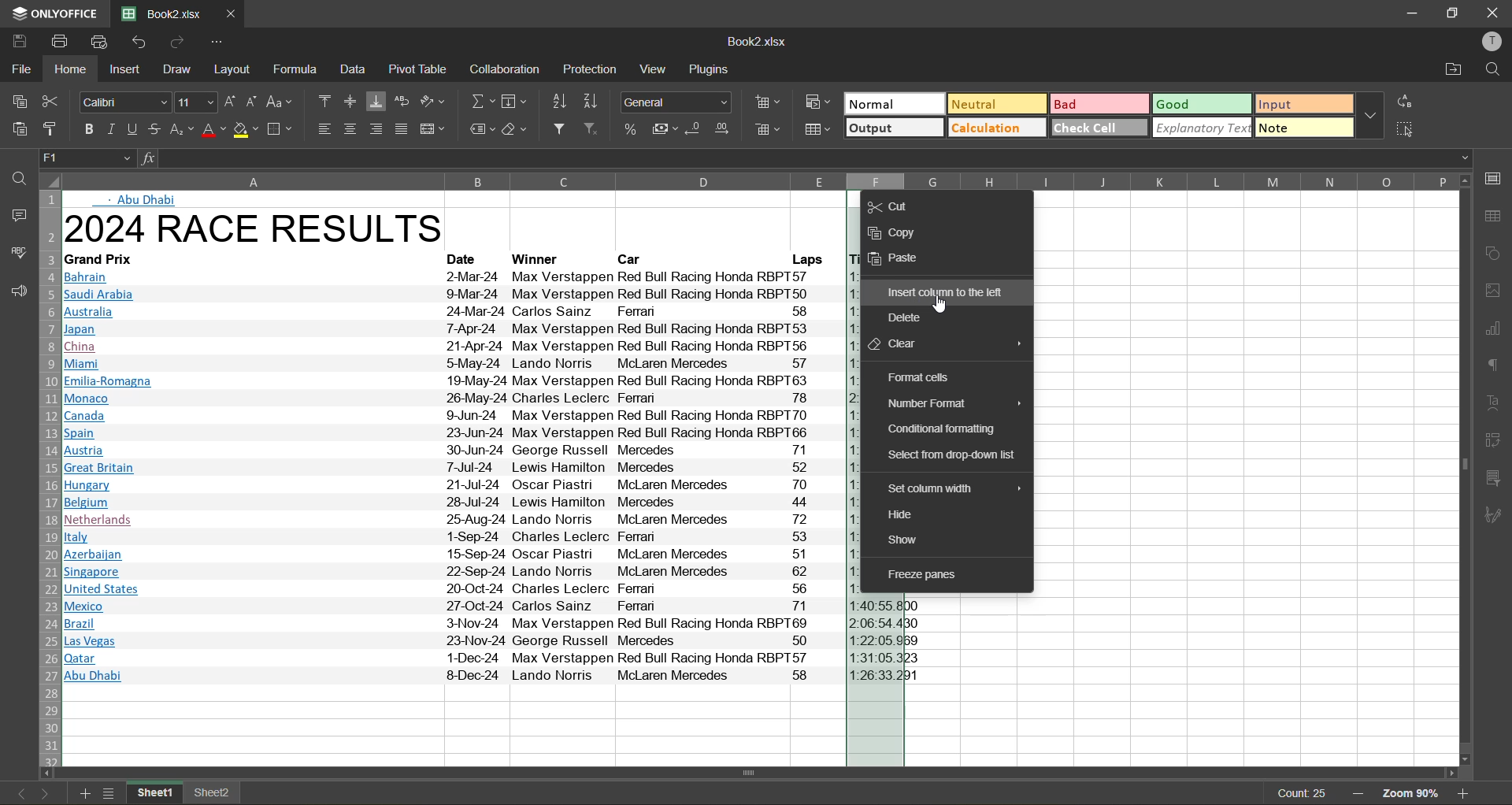 The image size is (1512, 805). Describe the element at coordinates (760, 43) in the screenshot. I see `filename` at that location.